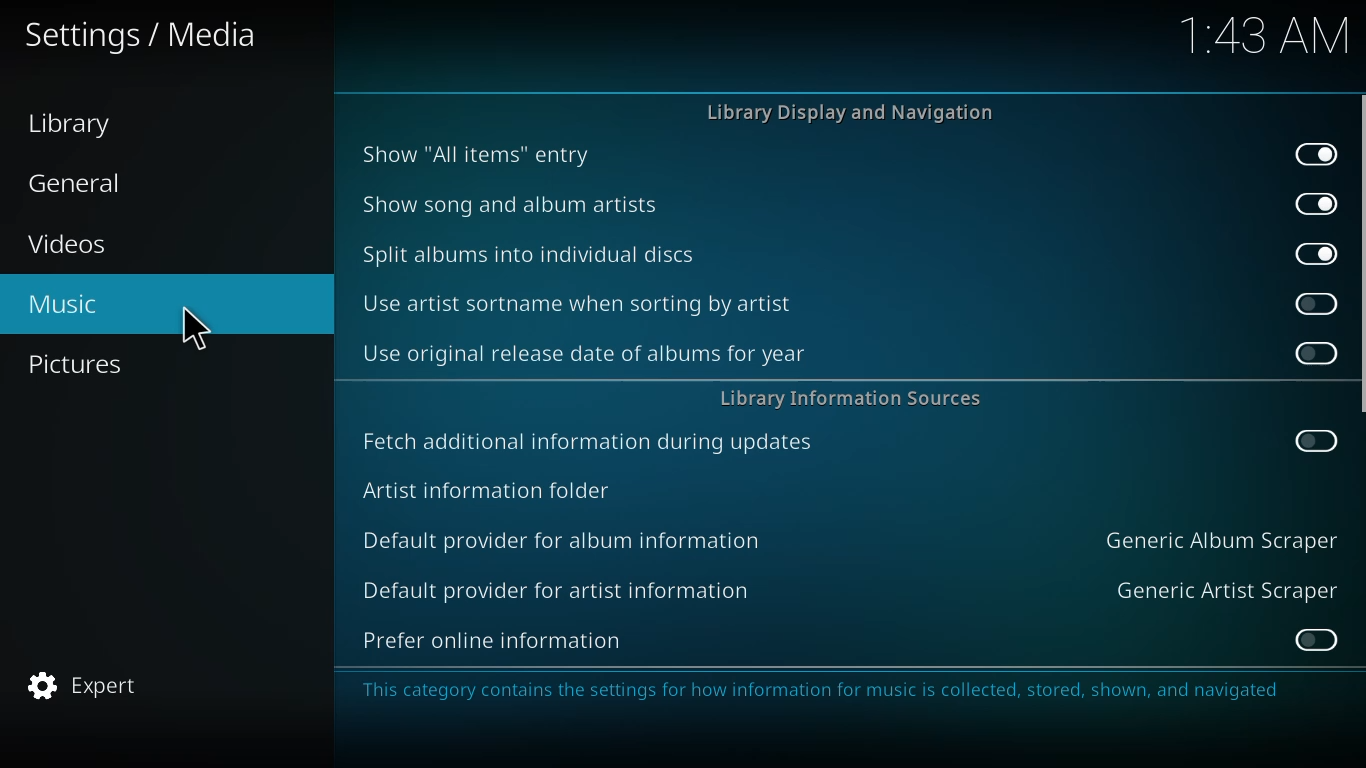 The height and width of the screenshot is (768, 1366). I want to click on enabled, so click(1313, 251).